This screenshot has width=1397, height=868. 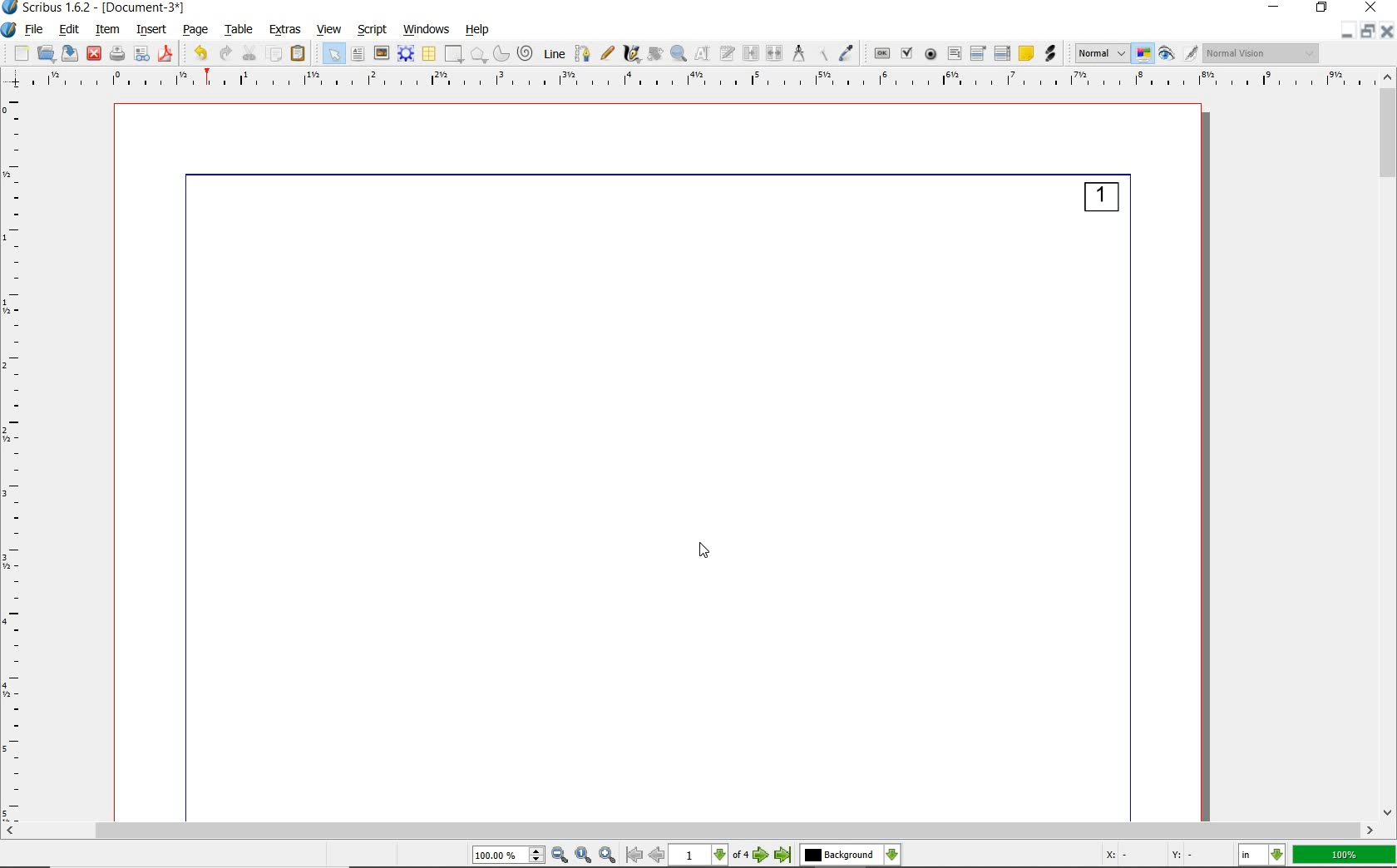 I want to click on Zoom 100.00%, so click(x=508, y=855).